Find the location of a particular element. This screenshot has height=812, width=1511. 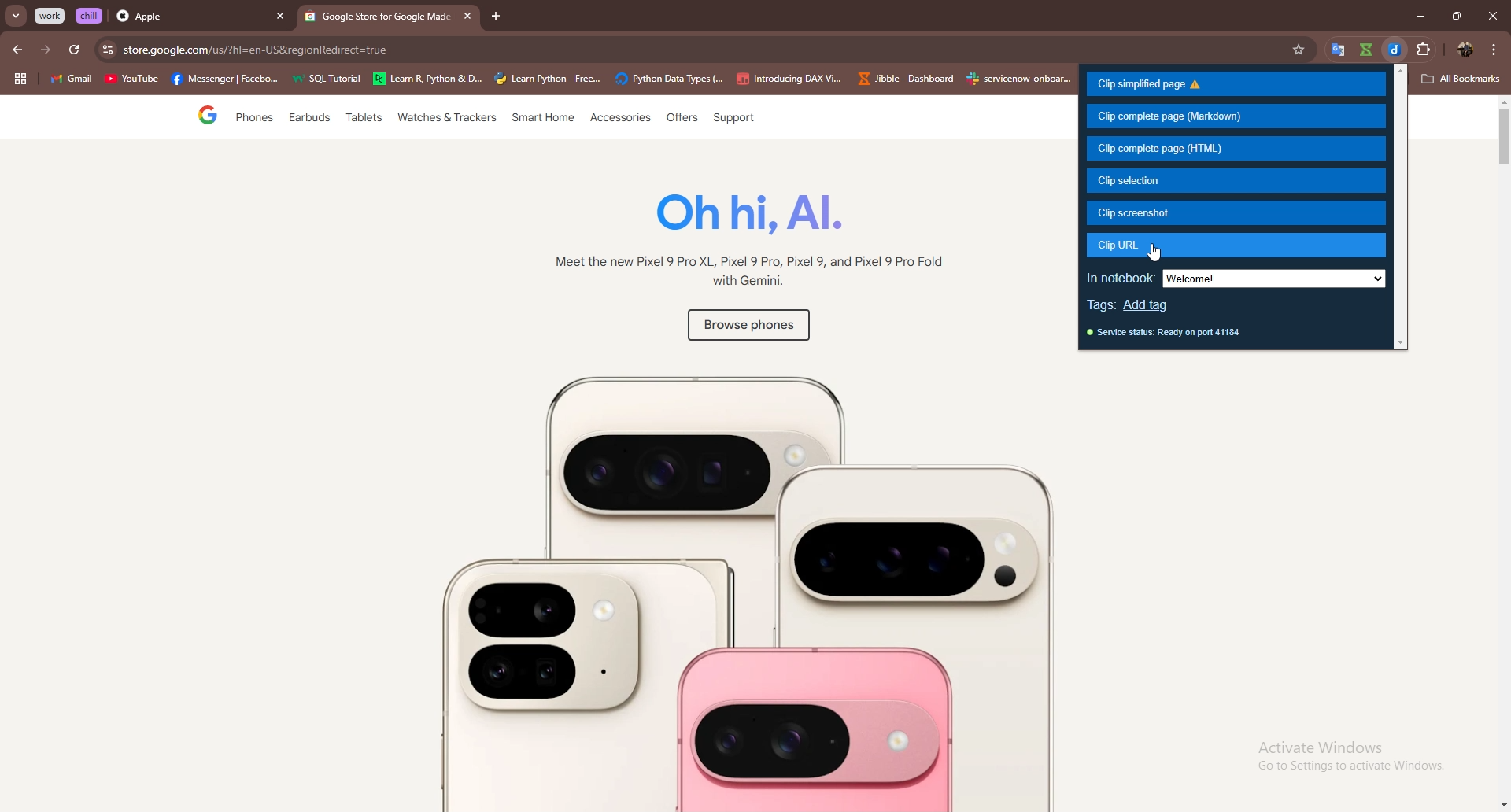

Activate Windows
Go to Settings to activate Windows. is located at coordinates (1341, 757).